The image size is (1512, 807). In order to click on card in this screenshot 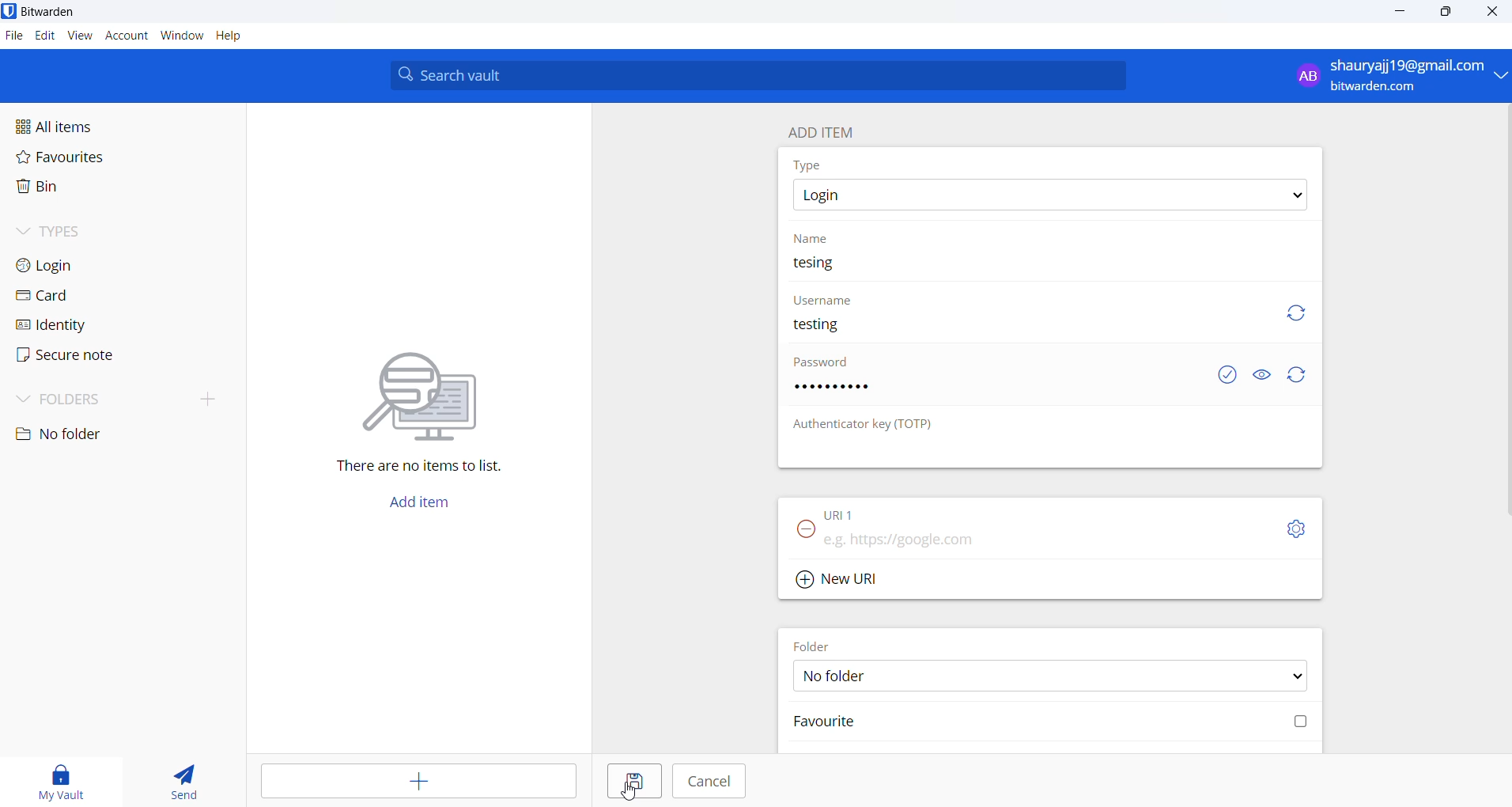, I will do `click(89, 296)`.